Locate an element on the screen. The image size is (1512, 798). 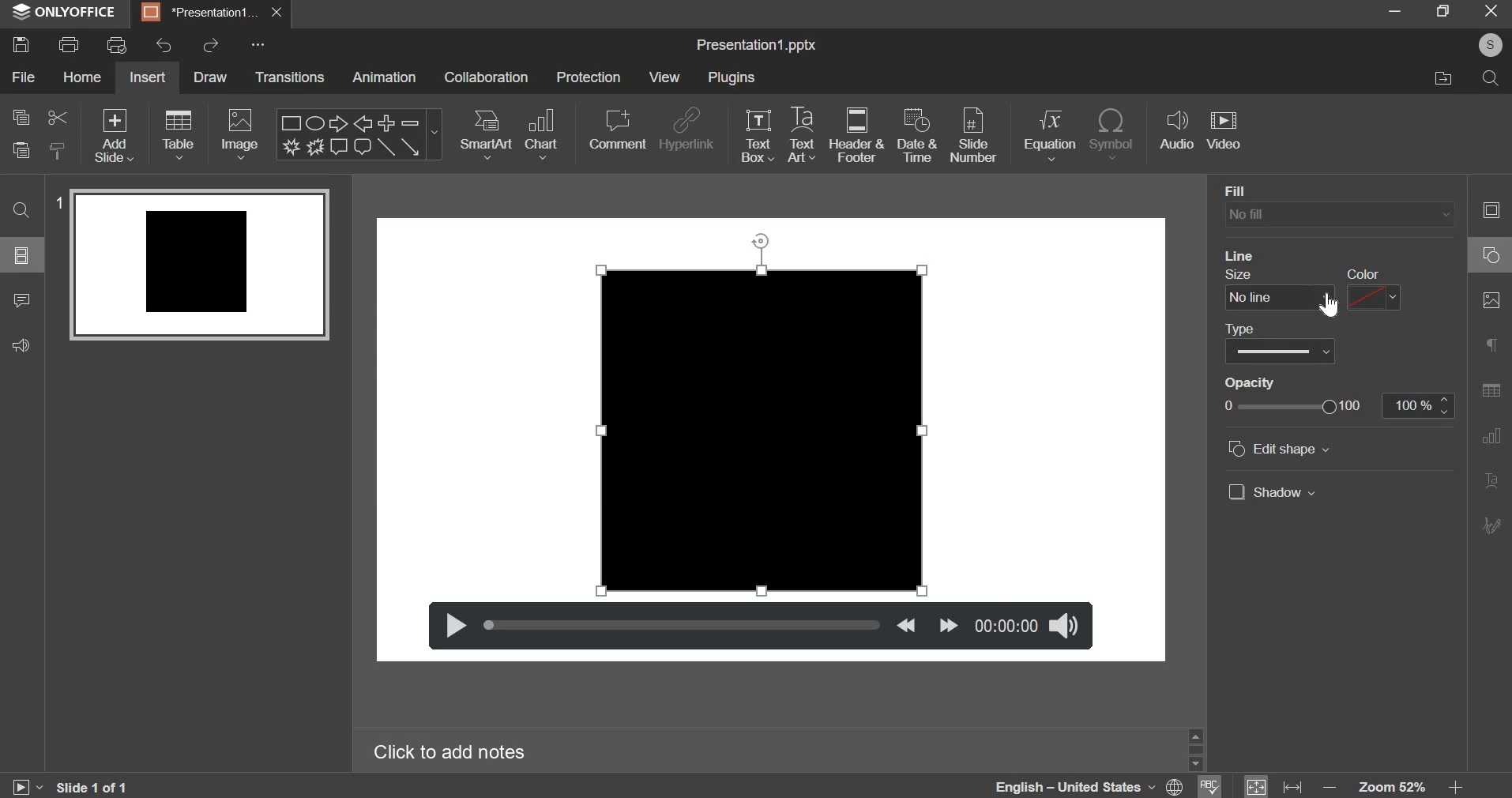
Play button is located at coordinates (28, 782).